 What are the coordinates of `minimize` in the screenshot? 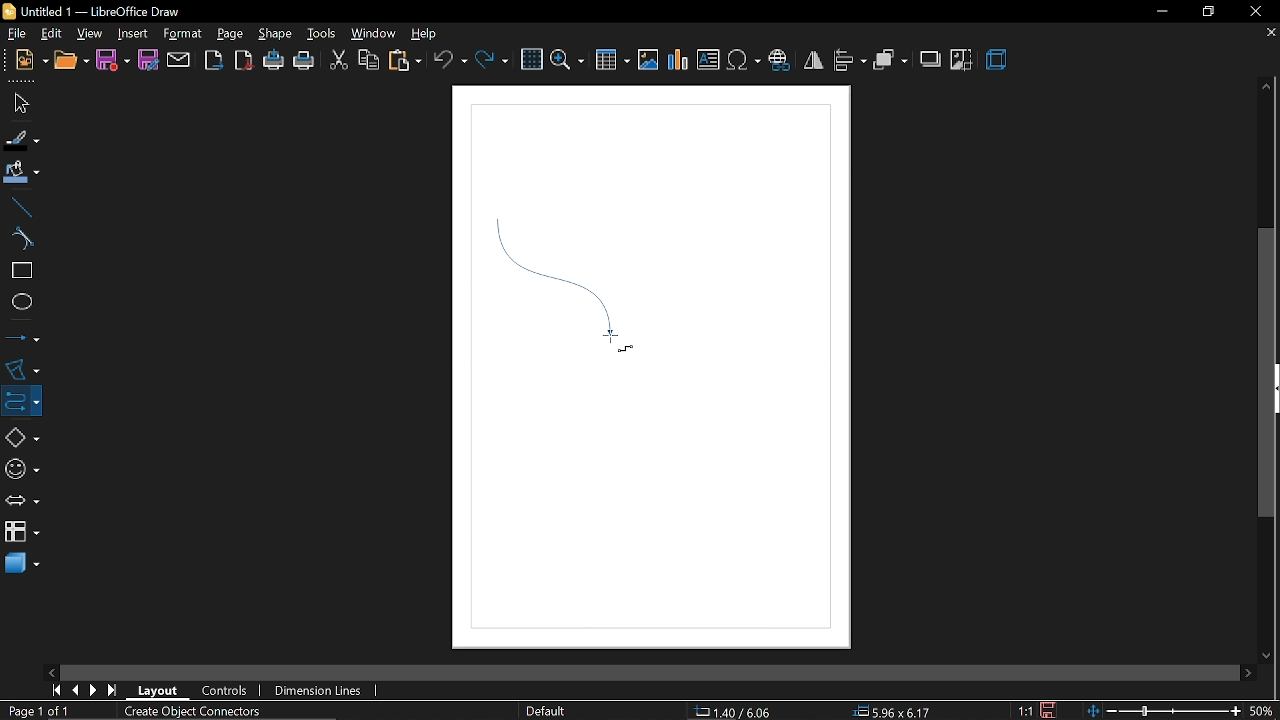 It's located at (1158, 12).